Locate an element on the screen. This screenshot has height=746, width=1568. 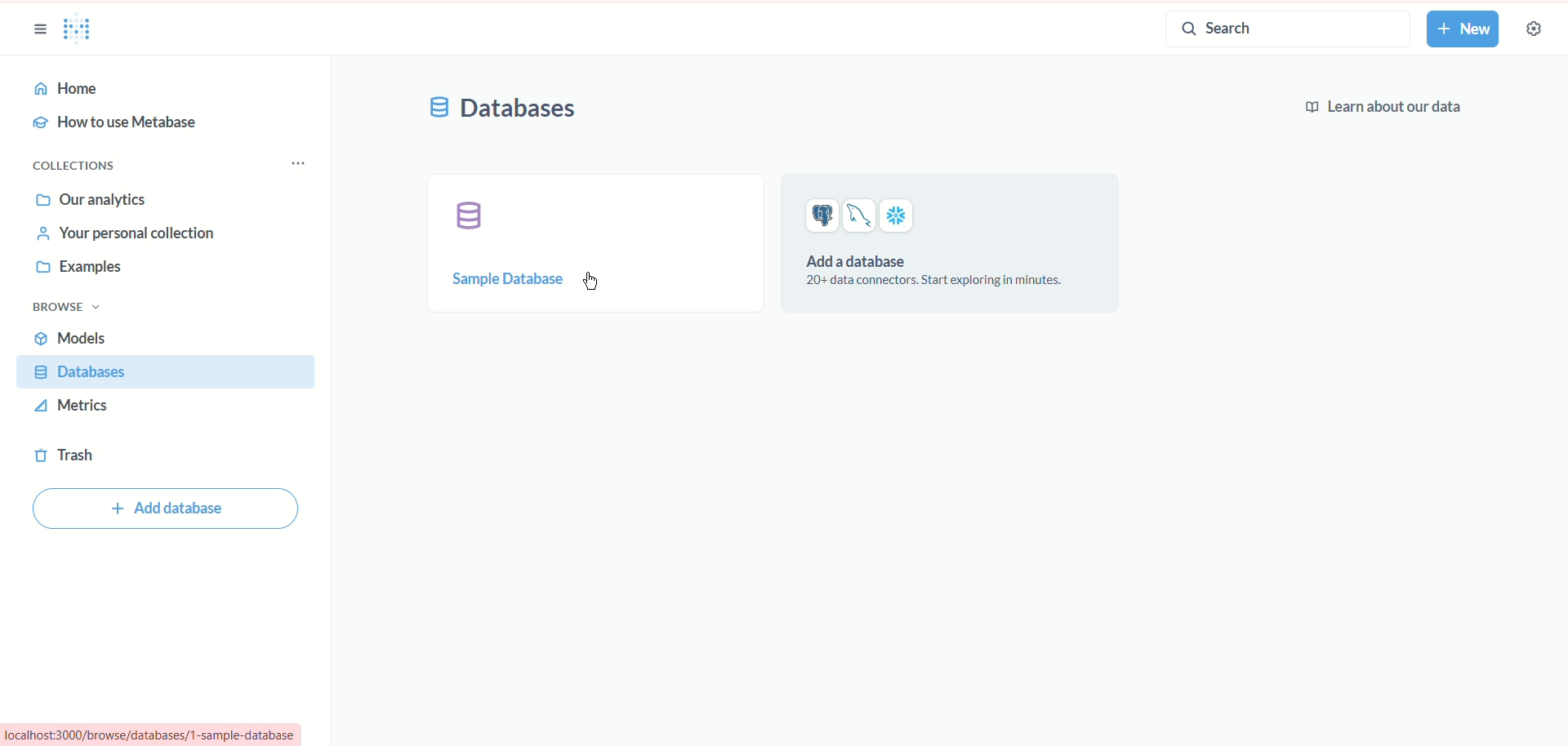
models is located at coordinates (74, 338).